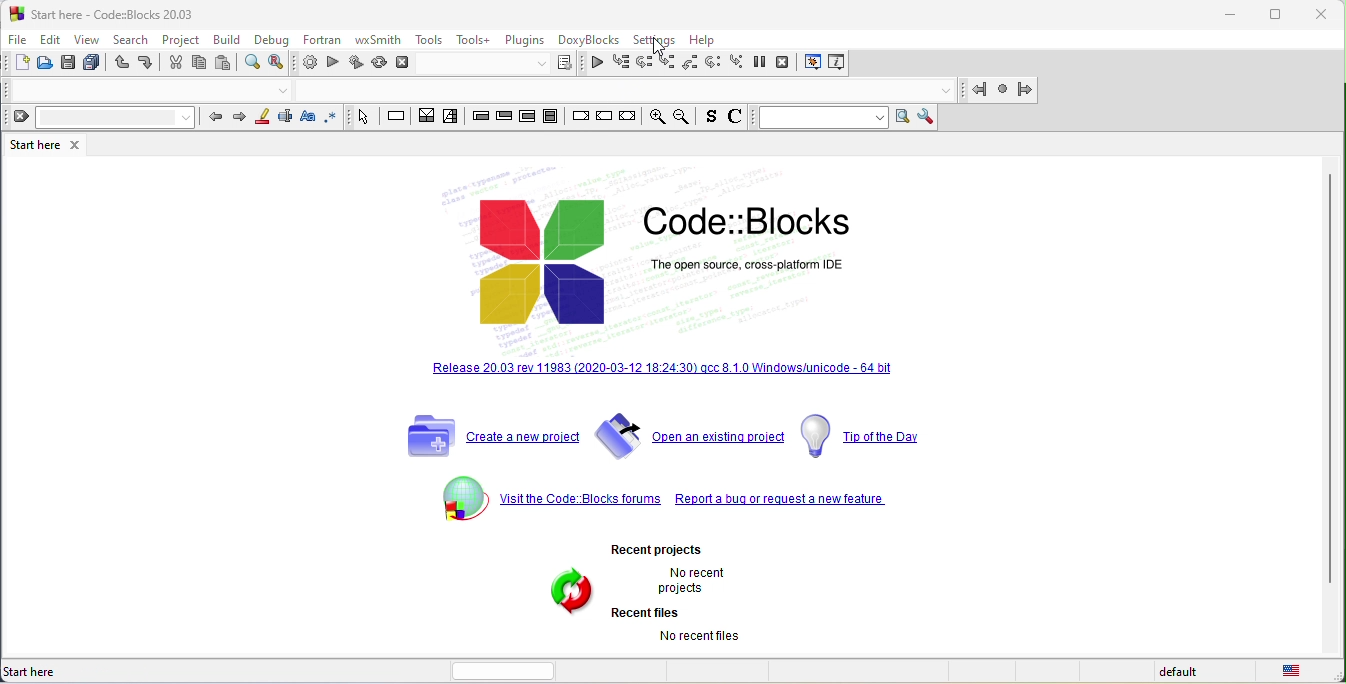  Describe the element at coordinates (320, 39) in the screenshot. I see `fortran` at that location.